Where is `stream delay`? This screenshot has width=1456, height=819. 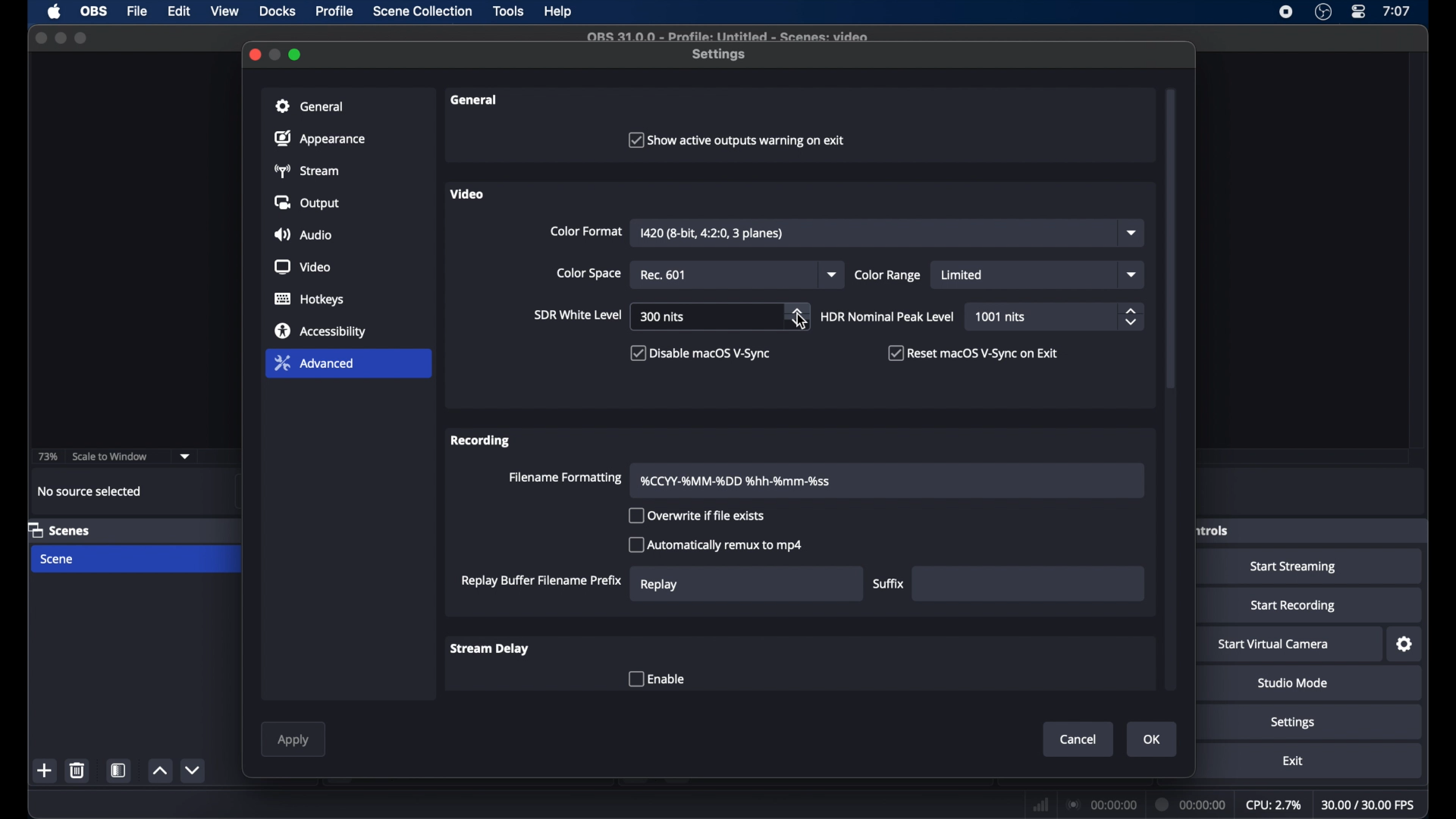 stream delay is located at coordinates (490, 648).